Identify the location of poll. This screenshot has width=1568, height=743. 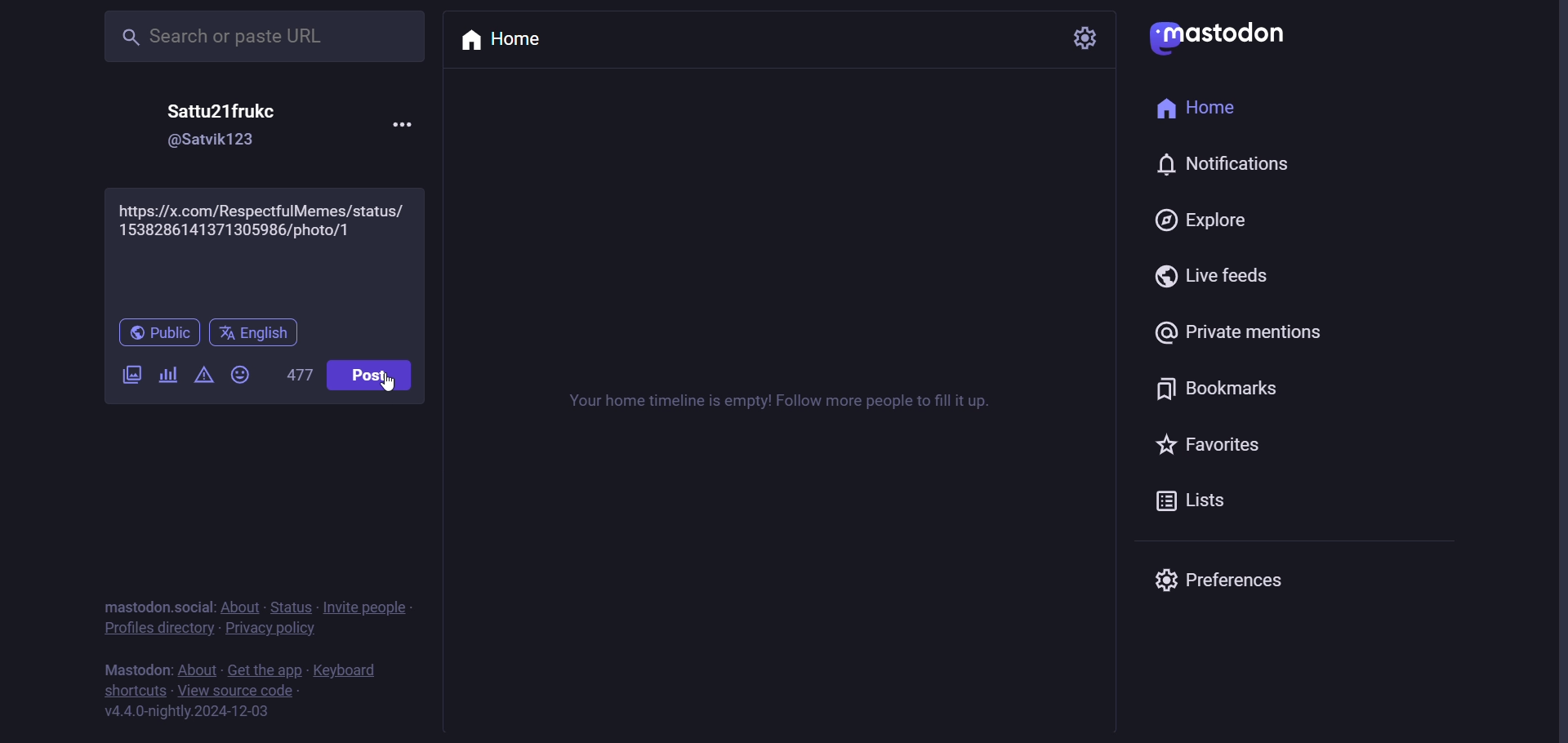
(167, 376).